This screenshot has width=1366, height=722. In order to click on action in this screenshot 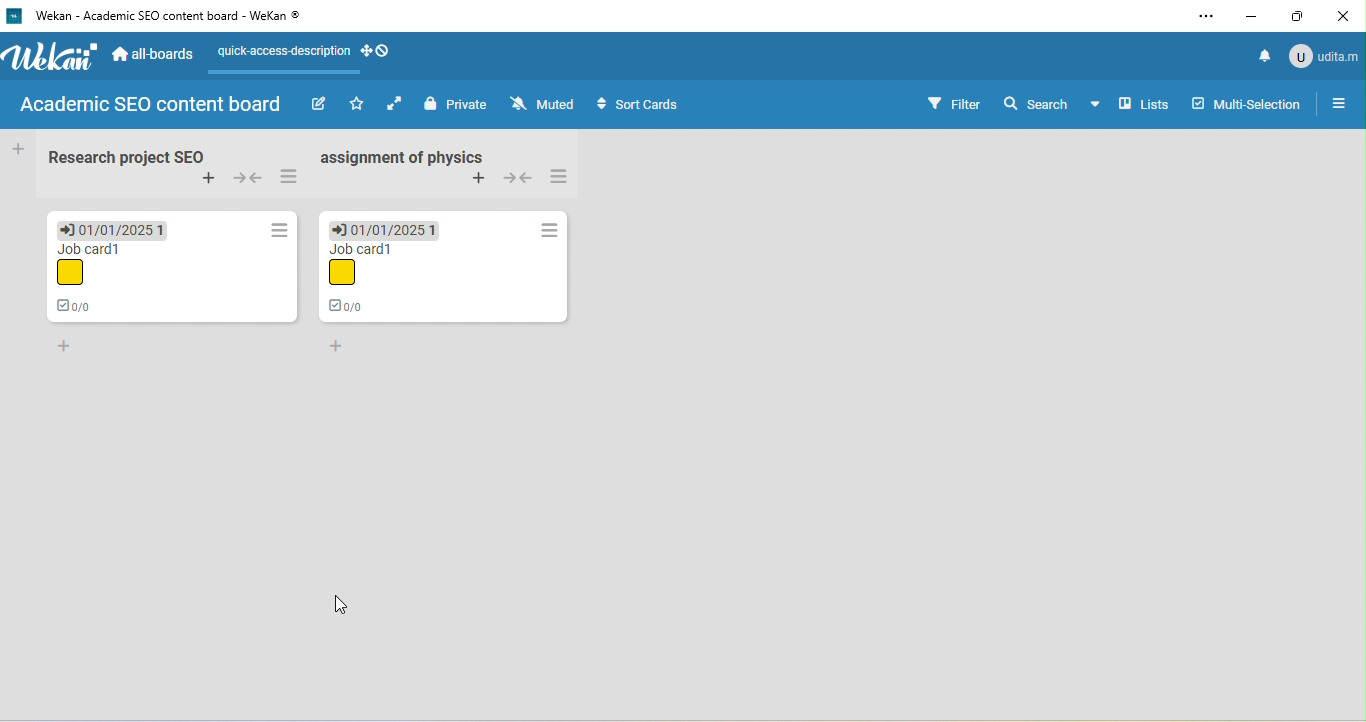, I will do `click(276, 229)`.